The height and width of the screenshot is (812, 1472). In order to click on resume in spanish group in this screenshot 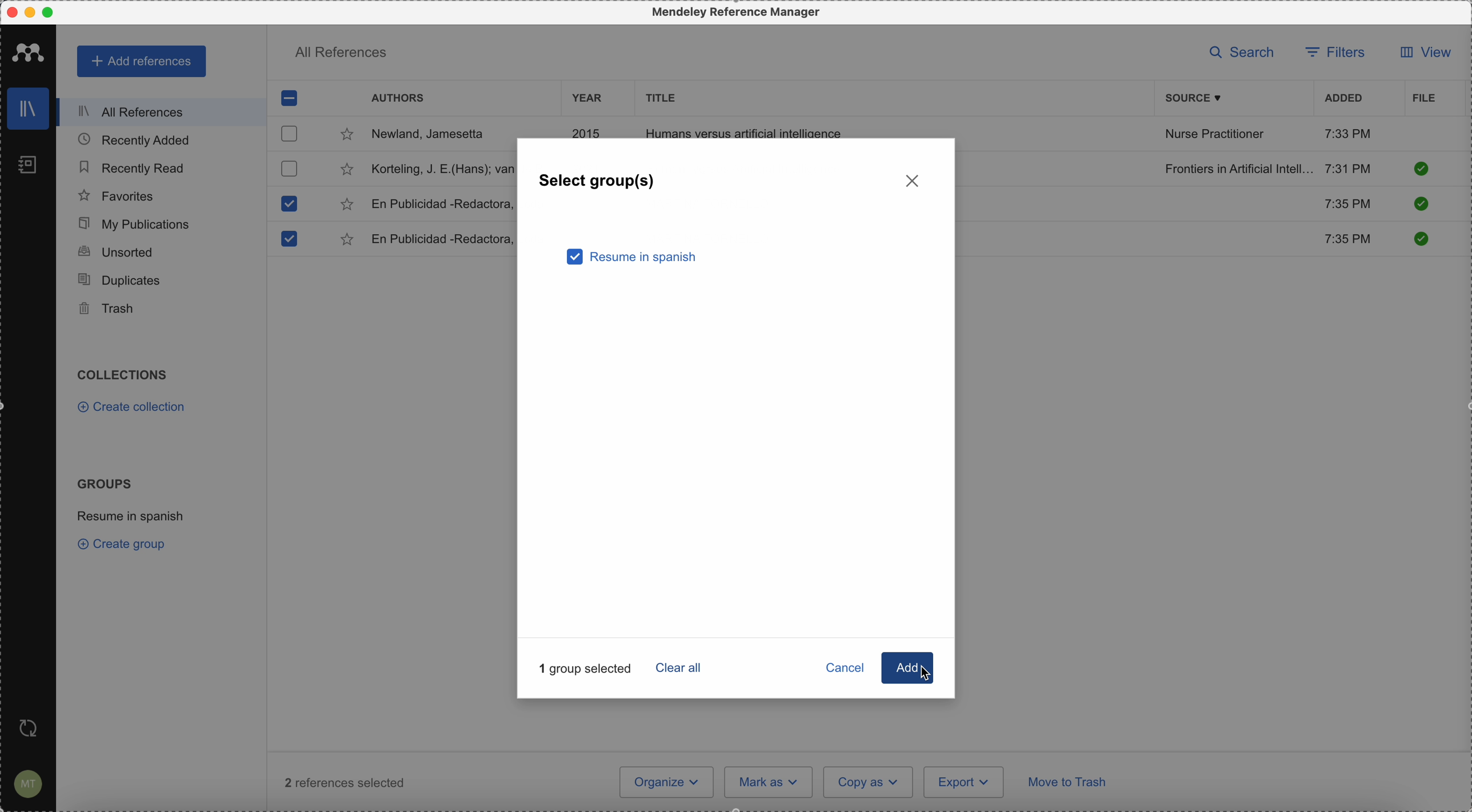, I will do `click(133, 515)`.